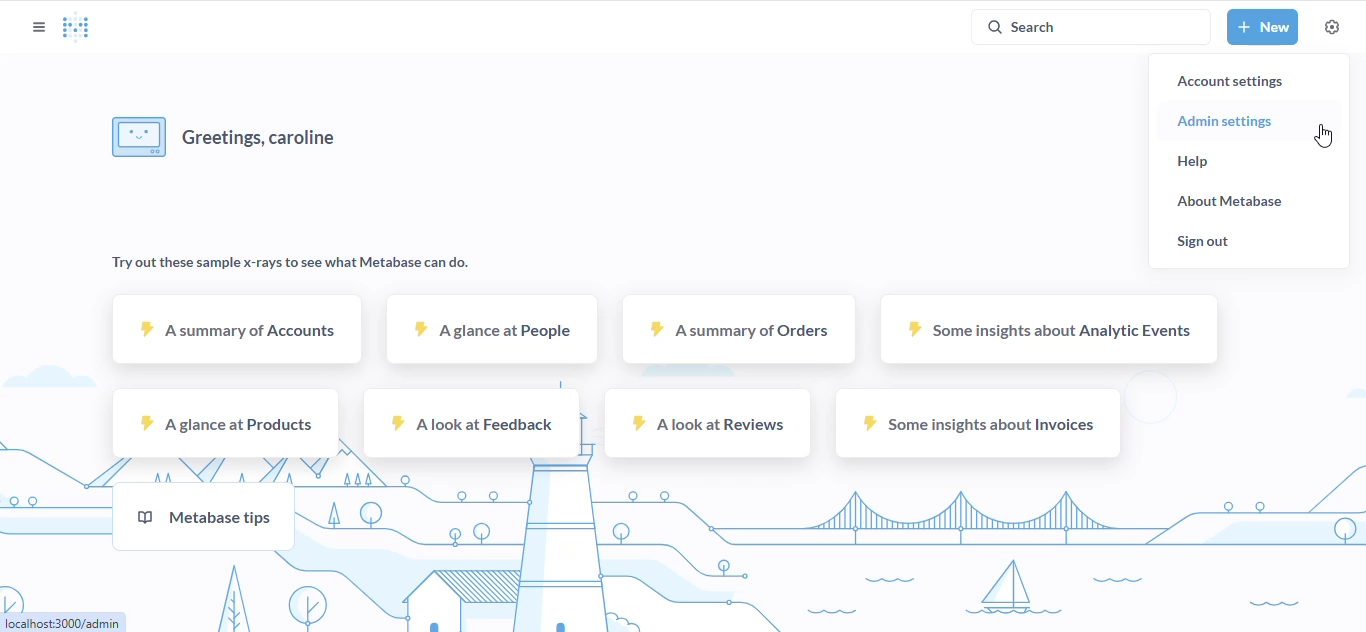 The image size is (1366, 632). What do you see at coordinates (1263, 26) in the screenshot?
I see `new` at bounding box center [1263, 26].